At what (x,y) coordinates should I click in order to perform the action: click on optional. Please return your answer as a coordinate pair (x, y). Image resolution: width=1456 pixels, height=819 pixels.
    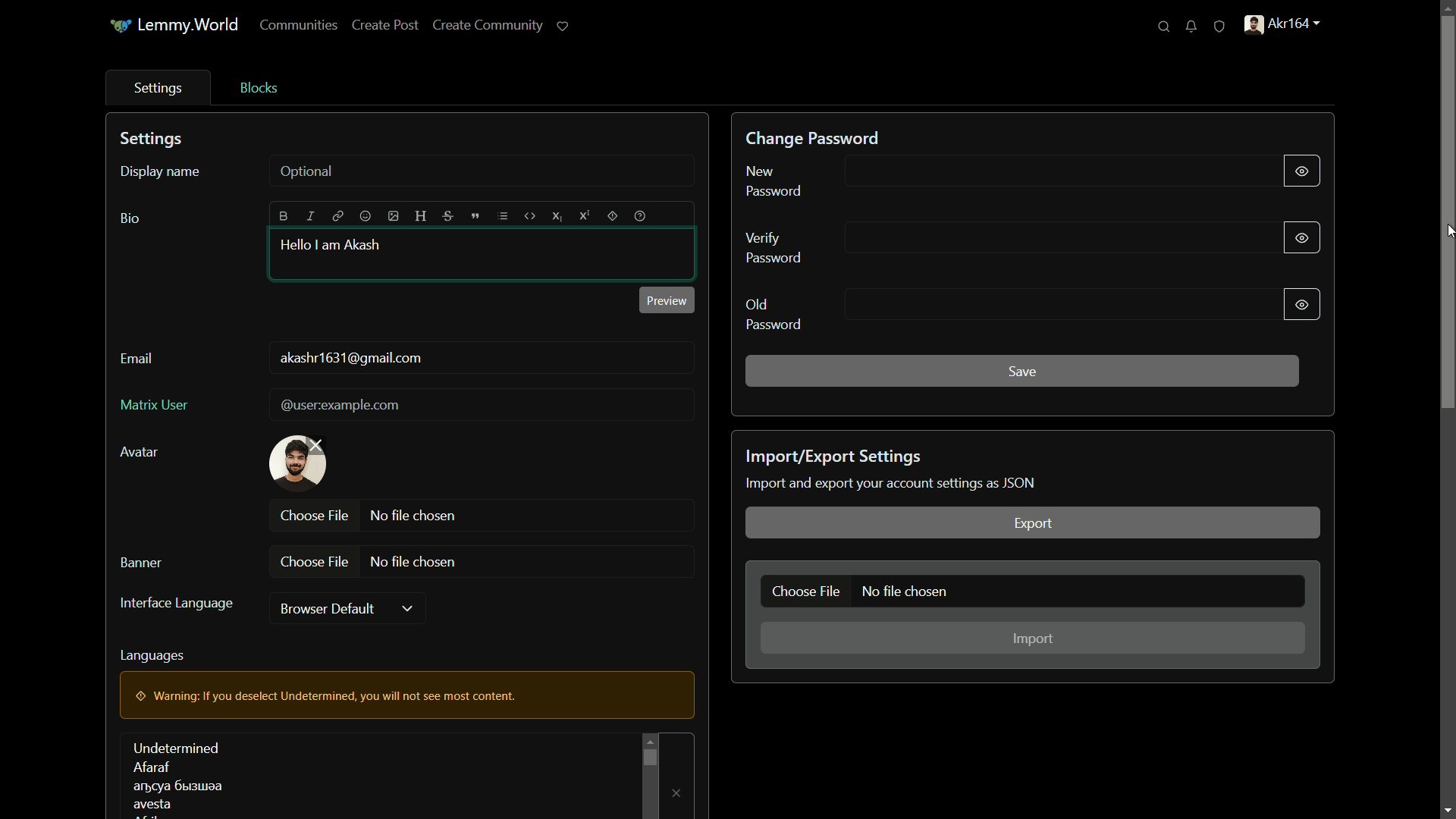
    Looking at the image, I should click on (307, 172).